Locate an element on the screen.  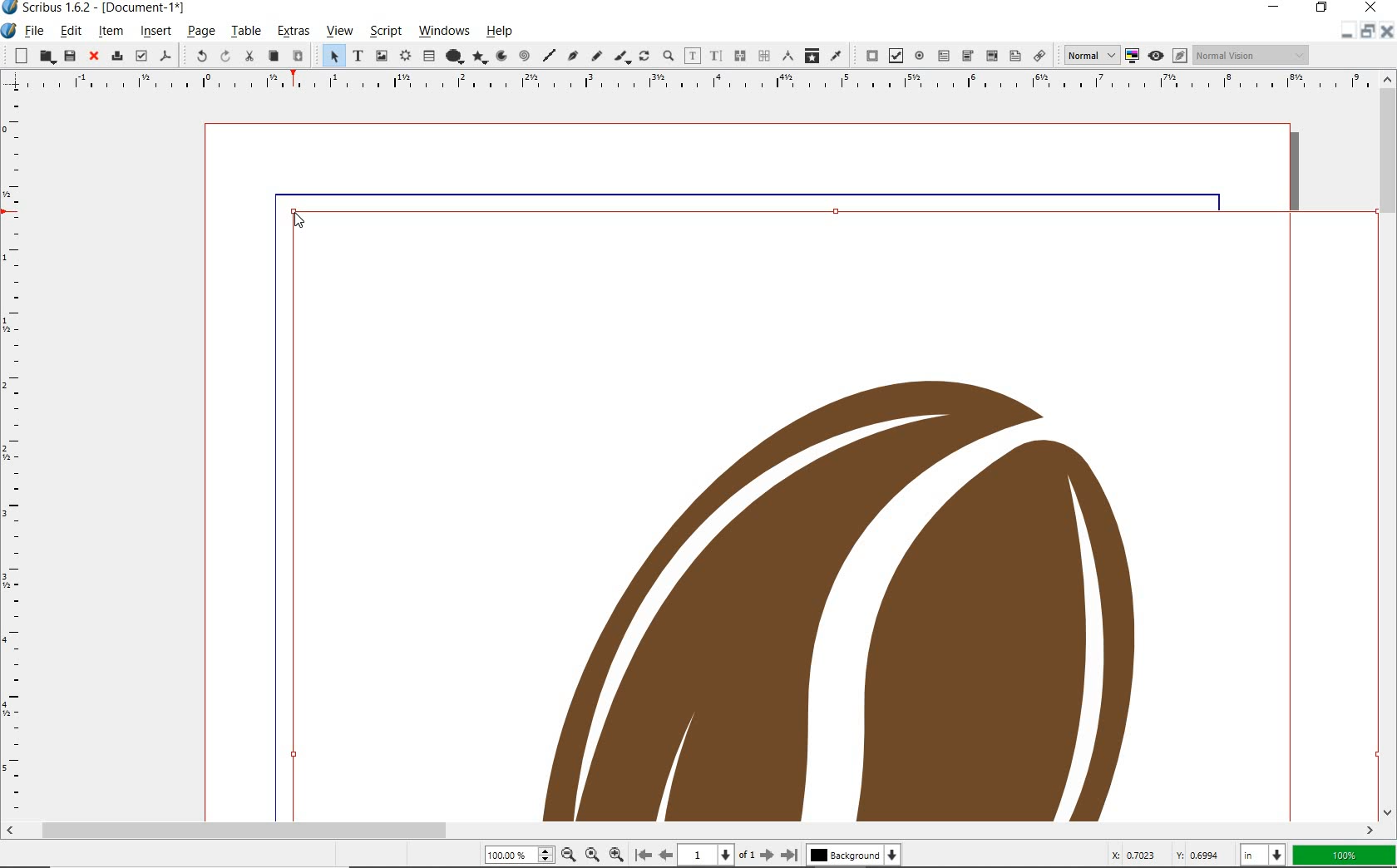
pdf radio button is located at coordinates (920, 55).